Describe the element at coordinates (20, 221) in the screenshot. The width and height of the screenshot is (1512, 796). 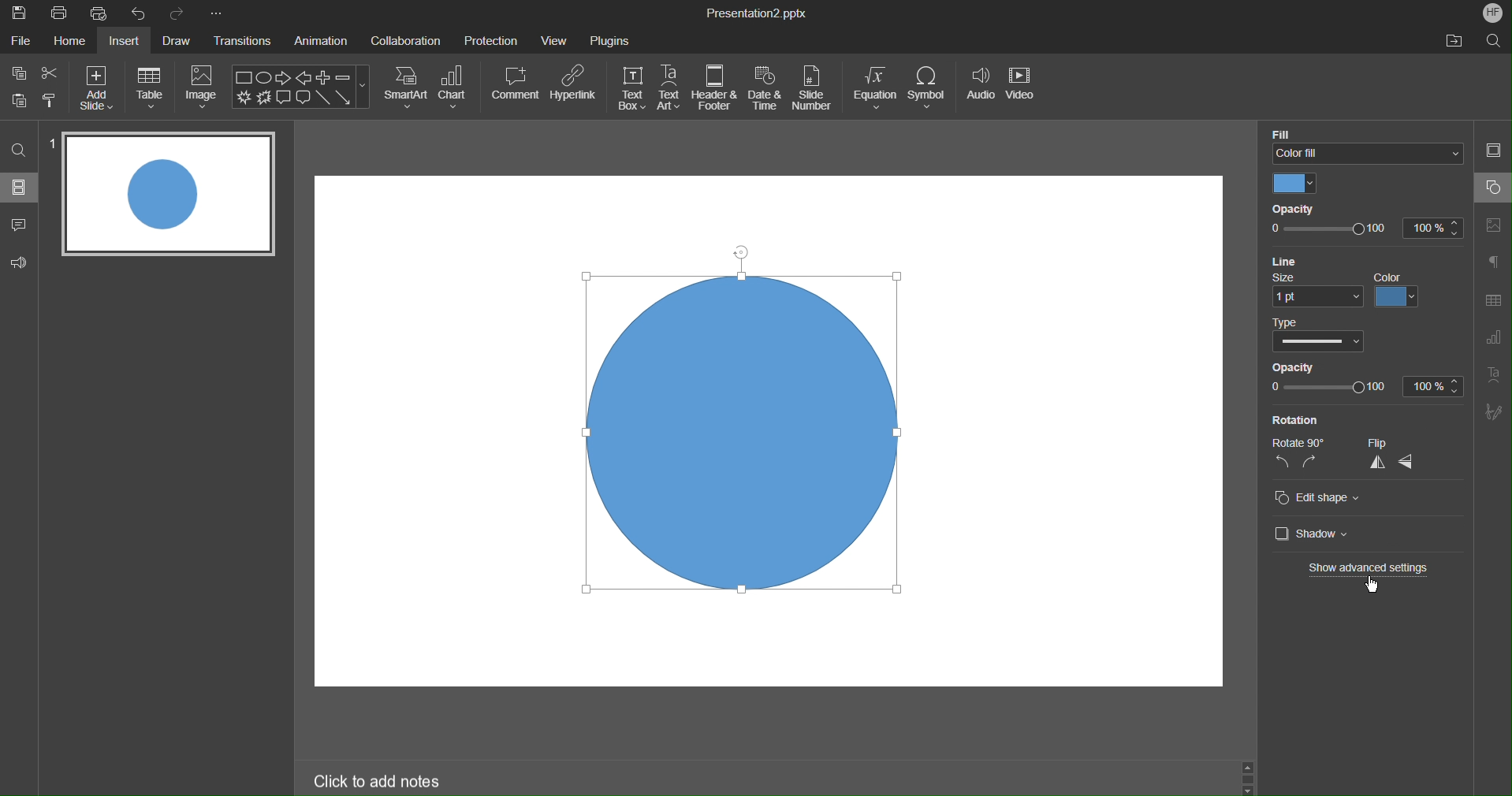
I see `Comment` at that location.